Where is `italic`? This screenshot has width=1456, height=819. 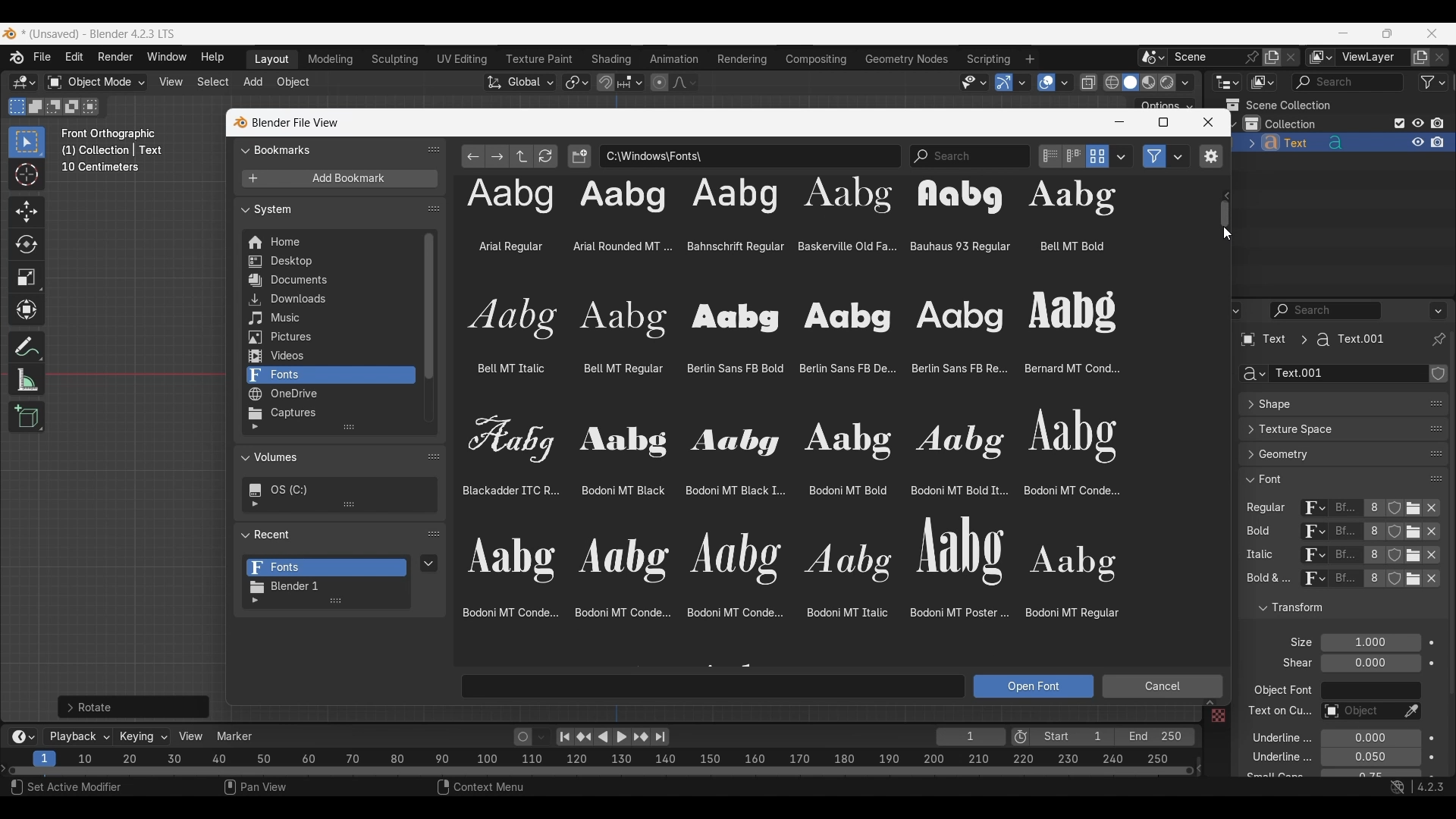 italic is located at coordinates (1257, 555).